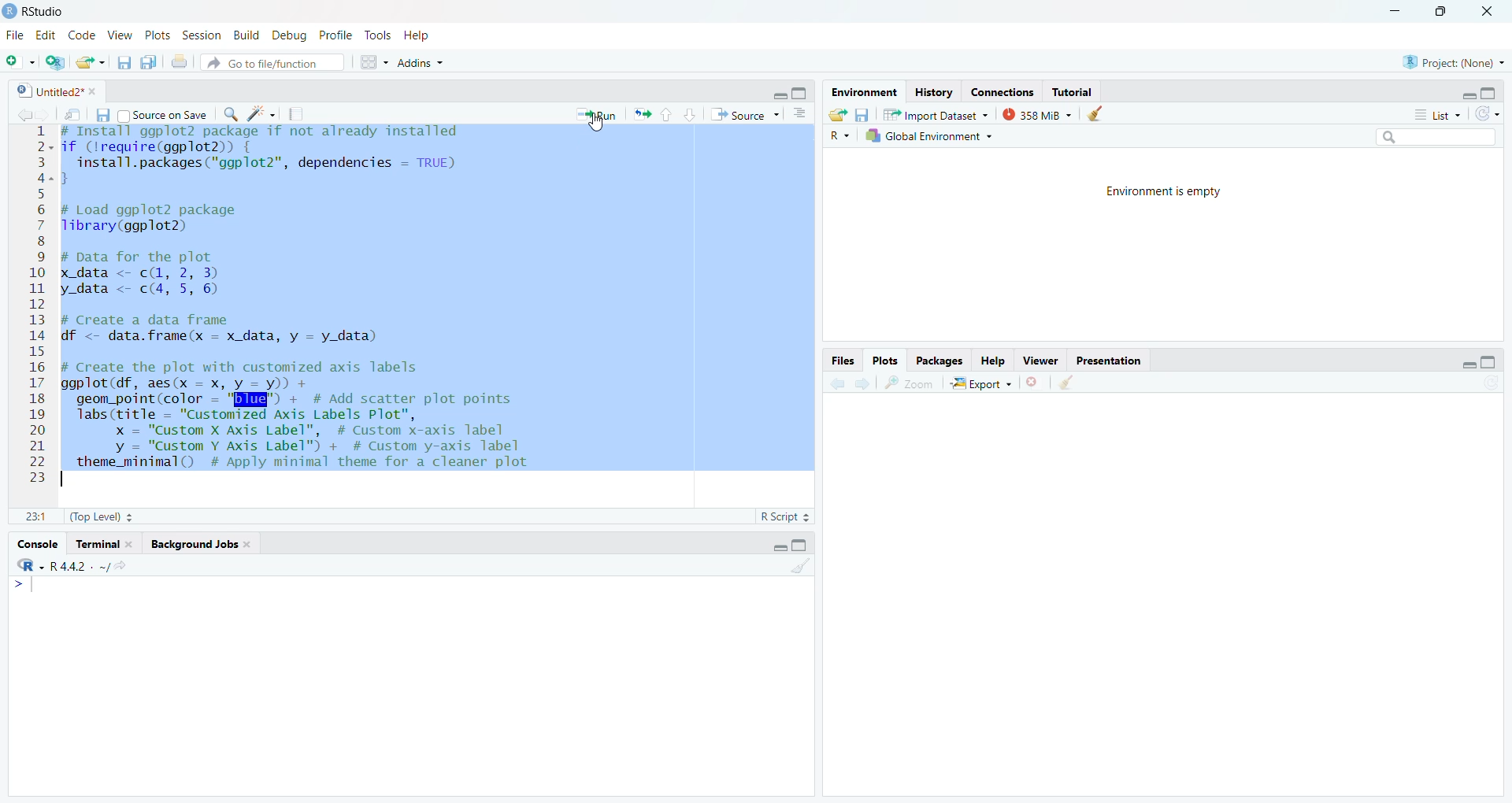 Image resolution: width=1512 pixels, height=803 pixels. What do you see at coordinates (25, 115) in the screenshot?
I see `back` at bounding box center [25, 115].